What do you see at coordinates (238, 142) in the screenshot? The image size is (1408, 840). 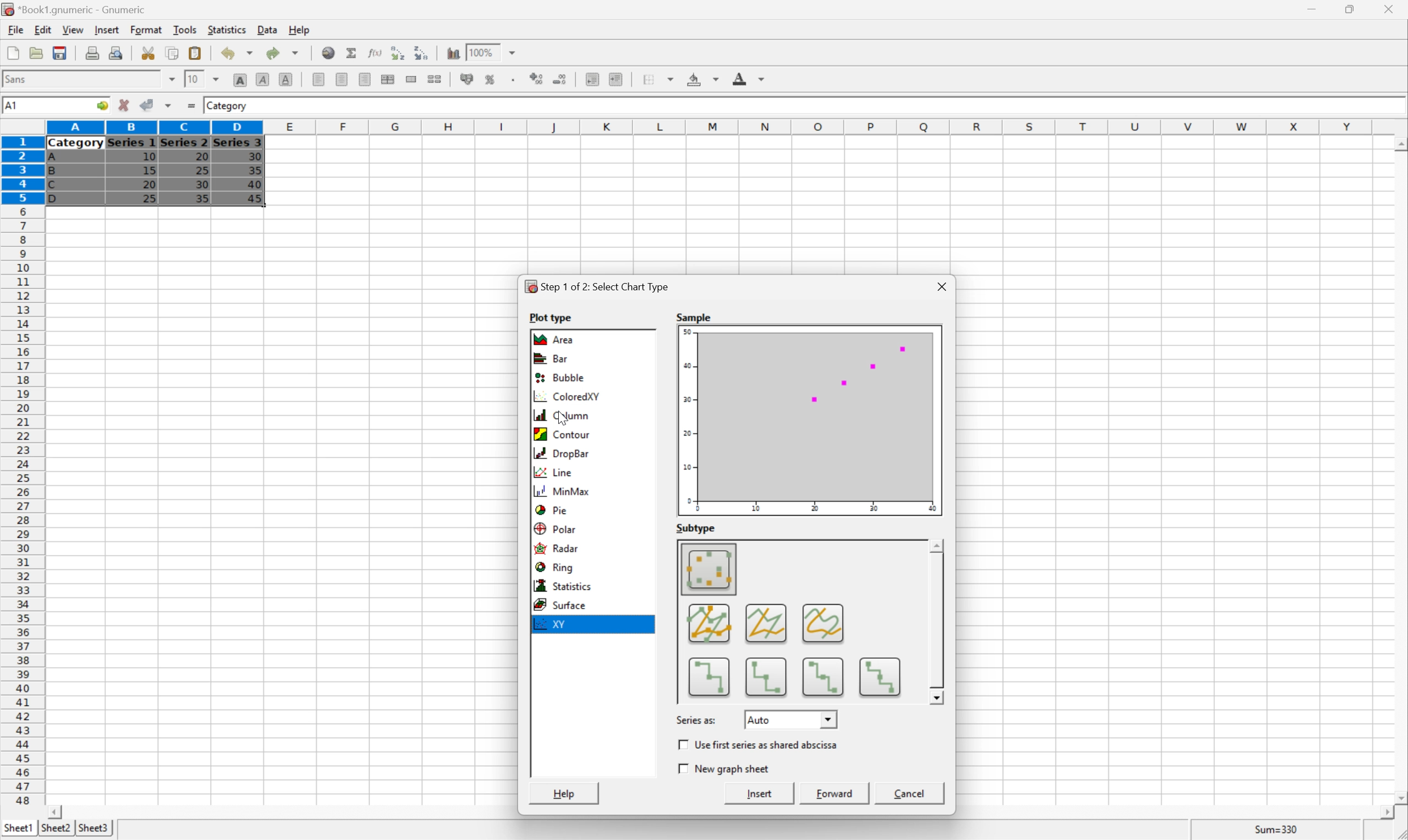 I see `Series 3` at bounding box center [238, 142].